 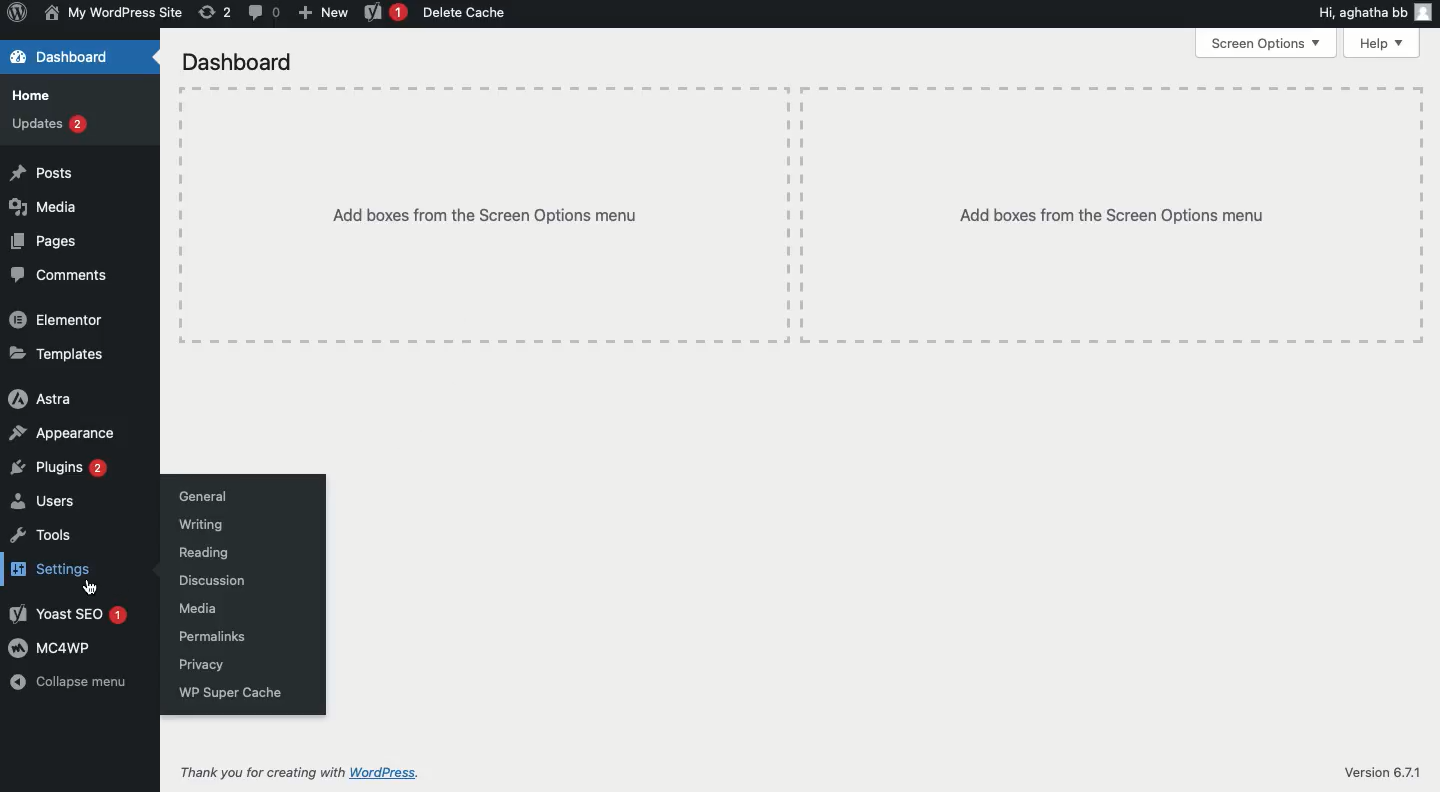 I want to click on Media, so click(x=199, y=608).